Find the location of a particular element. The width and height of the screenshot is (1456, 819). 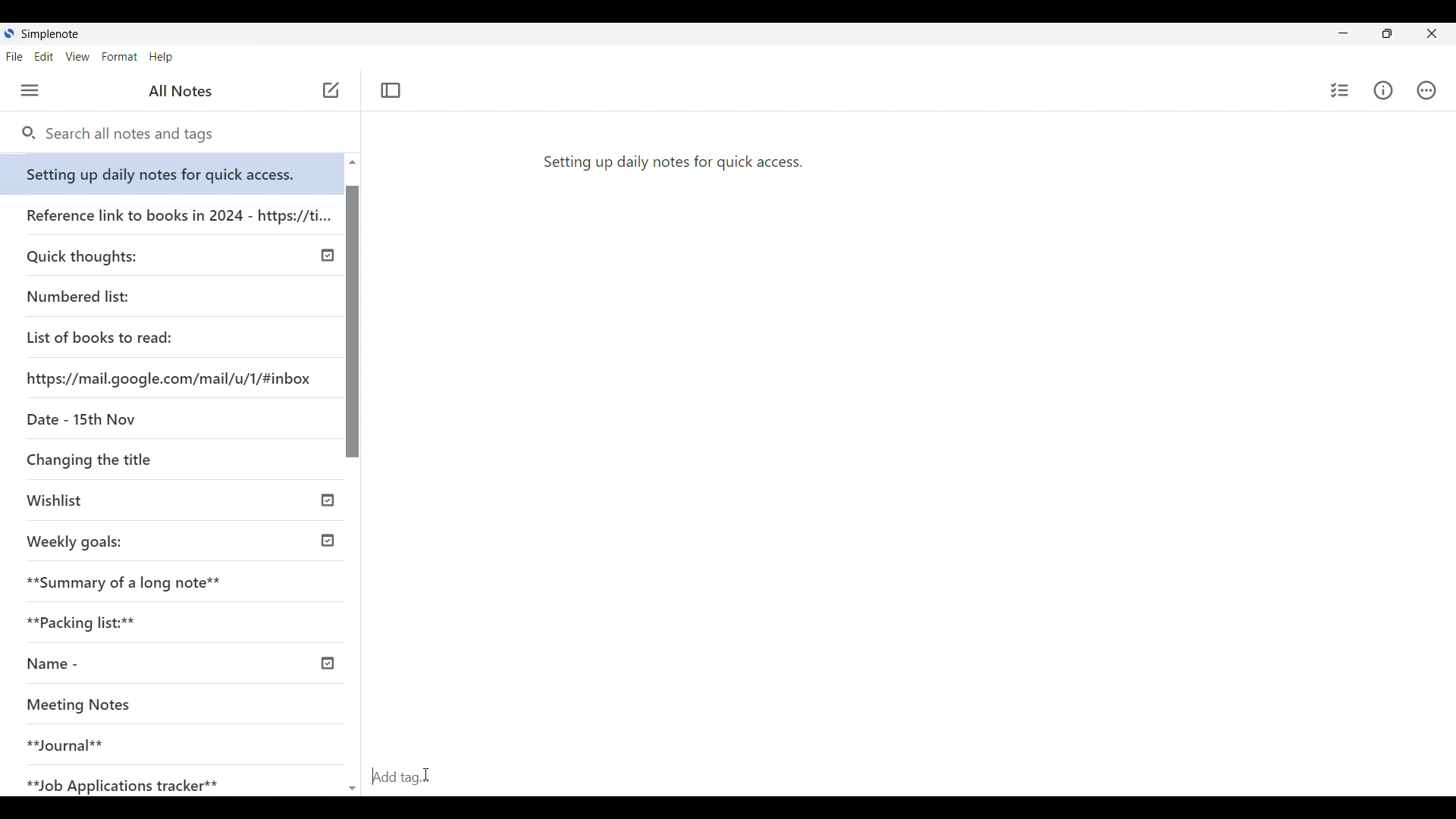

Summary of a long note is located at coordinates (181, 578).